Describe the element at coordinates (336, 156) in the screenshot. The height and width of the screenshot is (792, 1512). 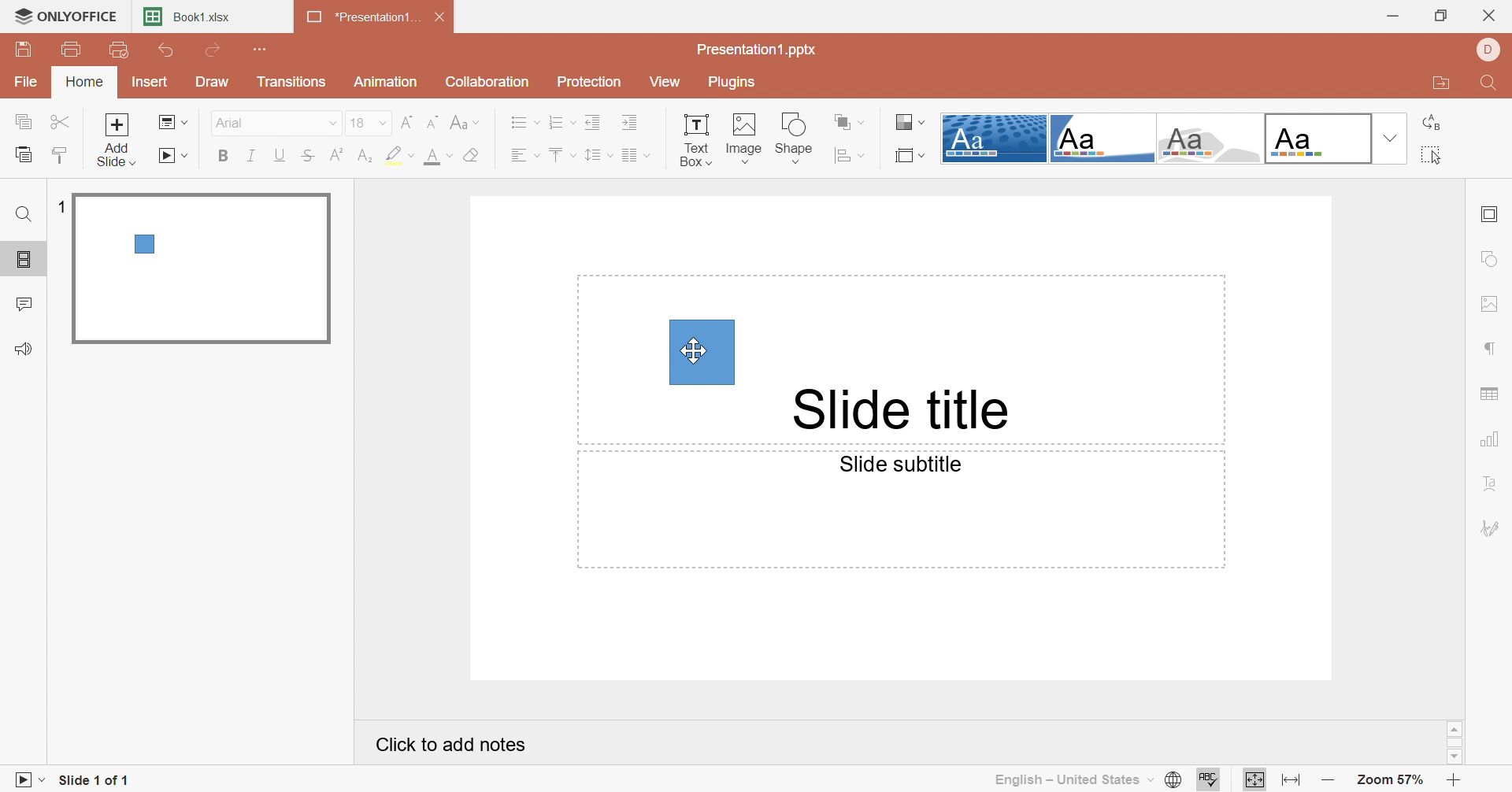
I see `Superscript` at that location.